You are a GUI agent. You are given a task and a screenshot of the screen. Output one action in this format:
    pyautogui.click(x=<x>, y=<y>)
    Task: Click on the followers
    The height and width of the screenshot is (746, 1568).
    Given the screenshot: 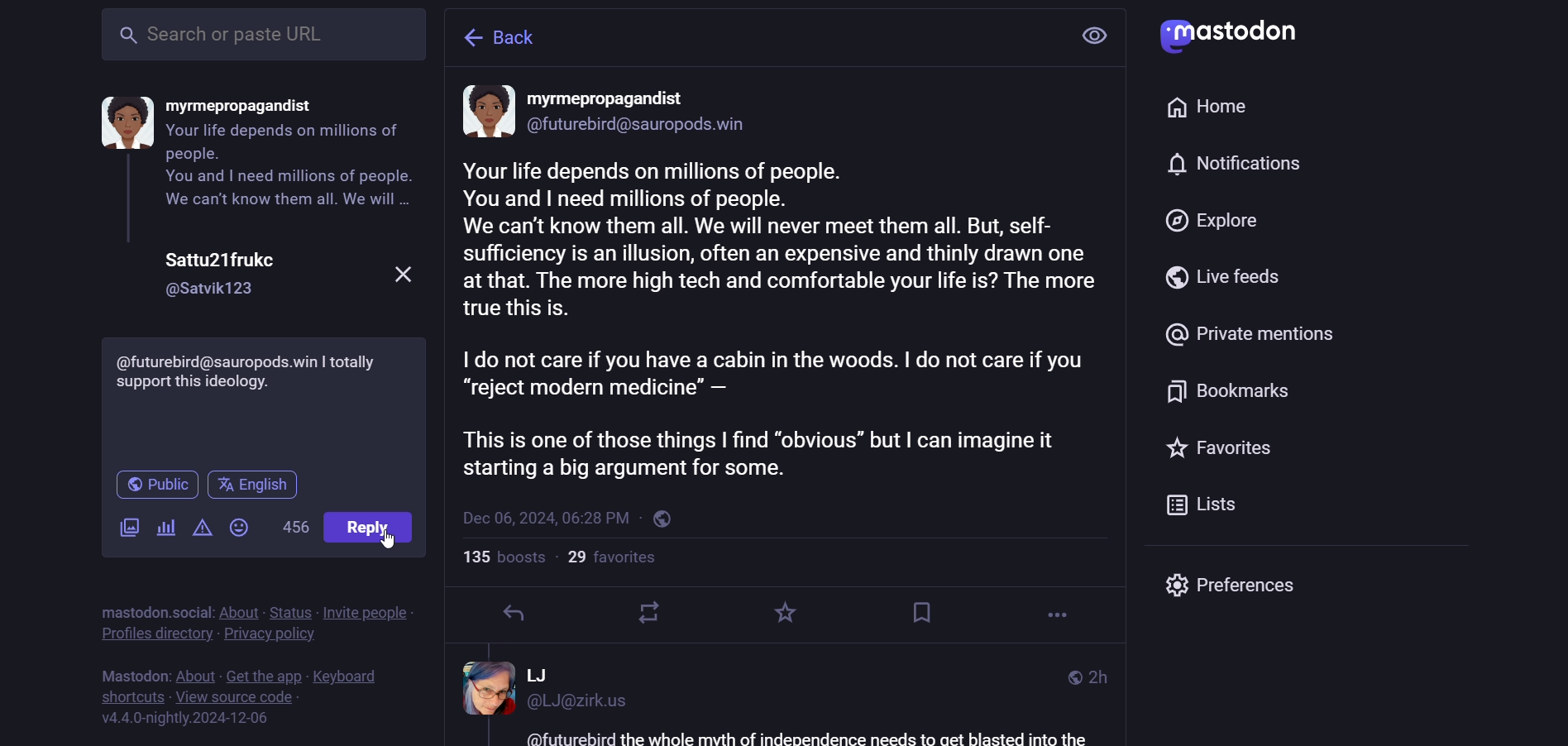 What is the action you would take?
    pyautogui.click(x=615, y=560)
    